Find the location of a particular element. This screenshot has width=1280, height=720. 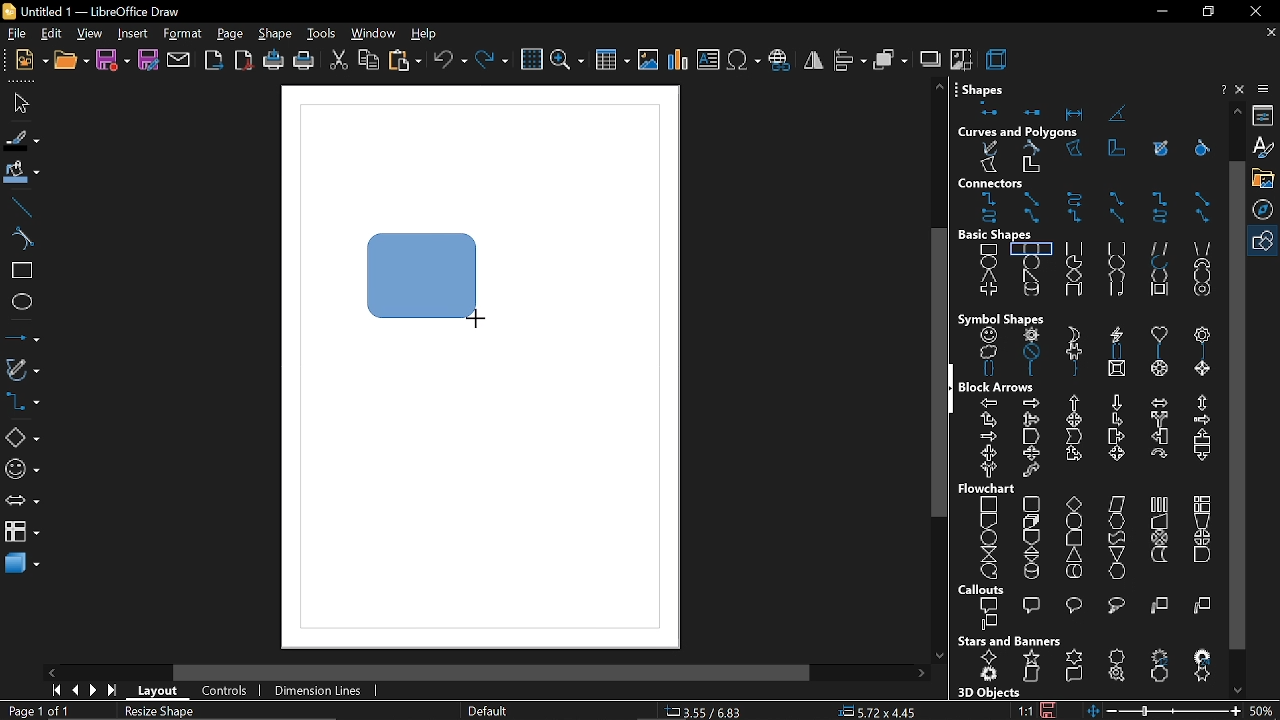

ellipse is located at coordinates (22, 302).